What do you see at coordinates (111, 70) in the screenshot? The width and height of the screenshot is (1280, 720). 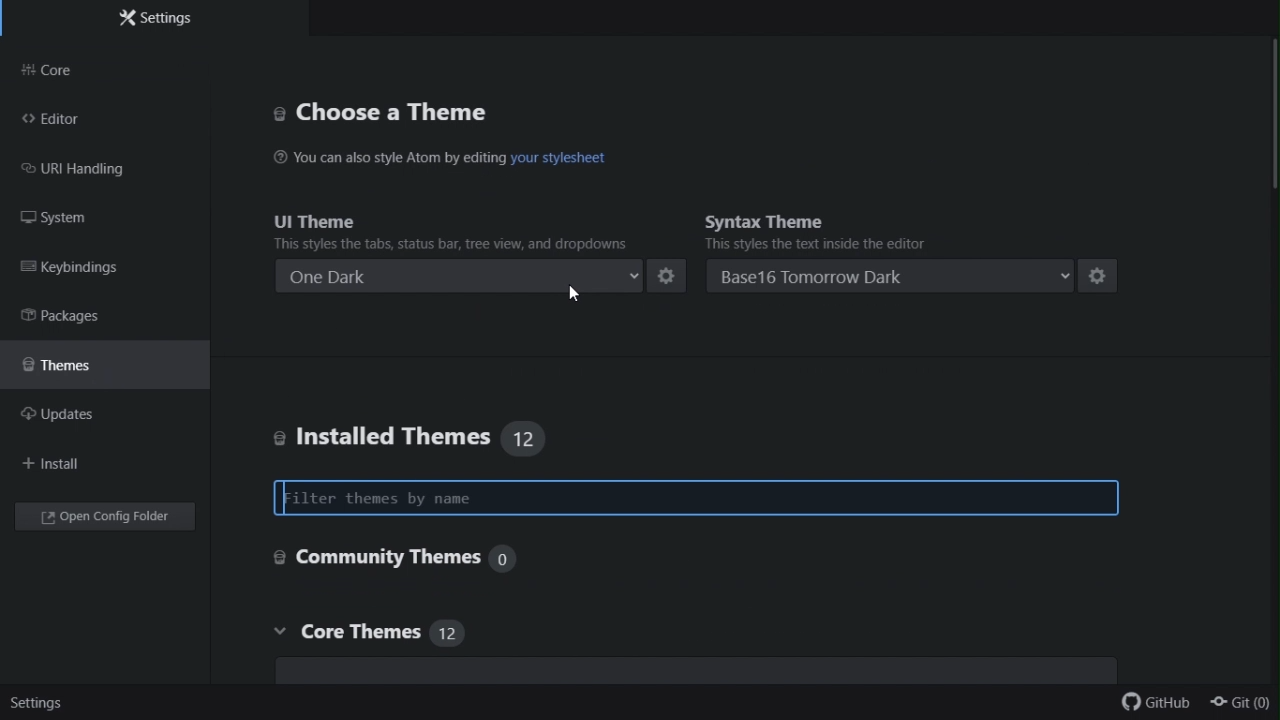 I see `core ` at bounding box center [111, 70].